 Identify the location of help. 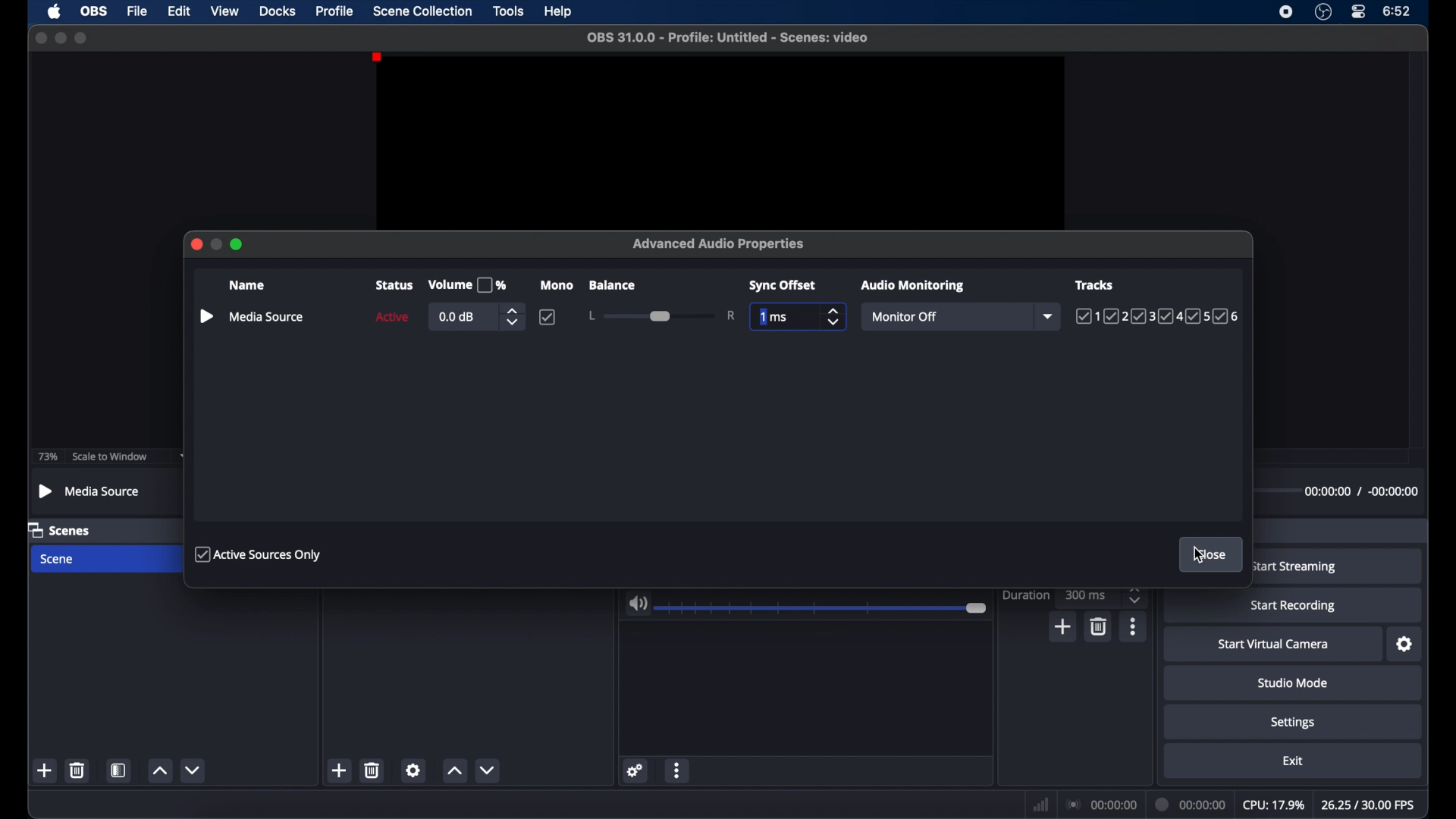
(559, 11).